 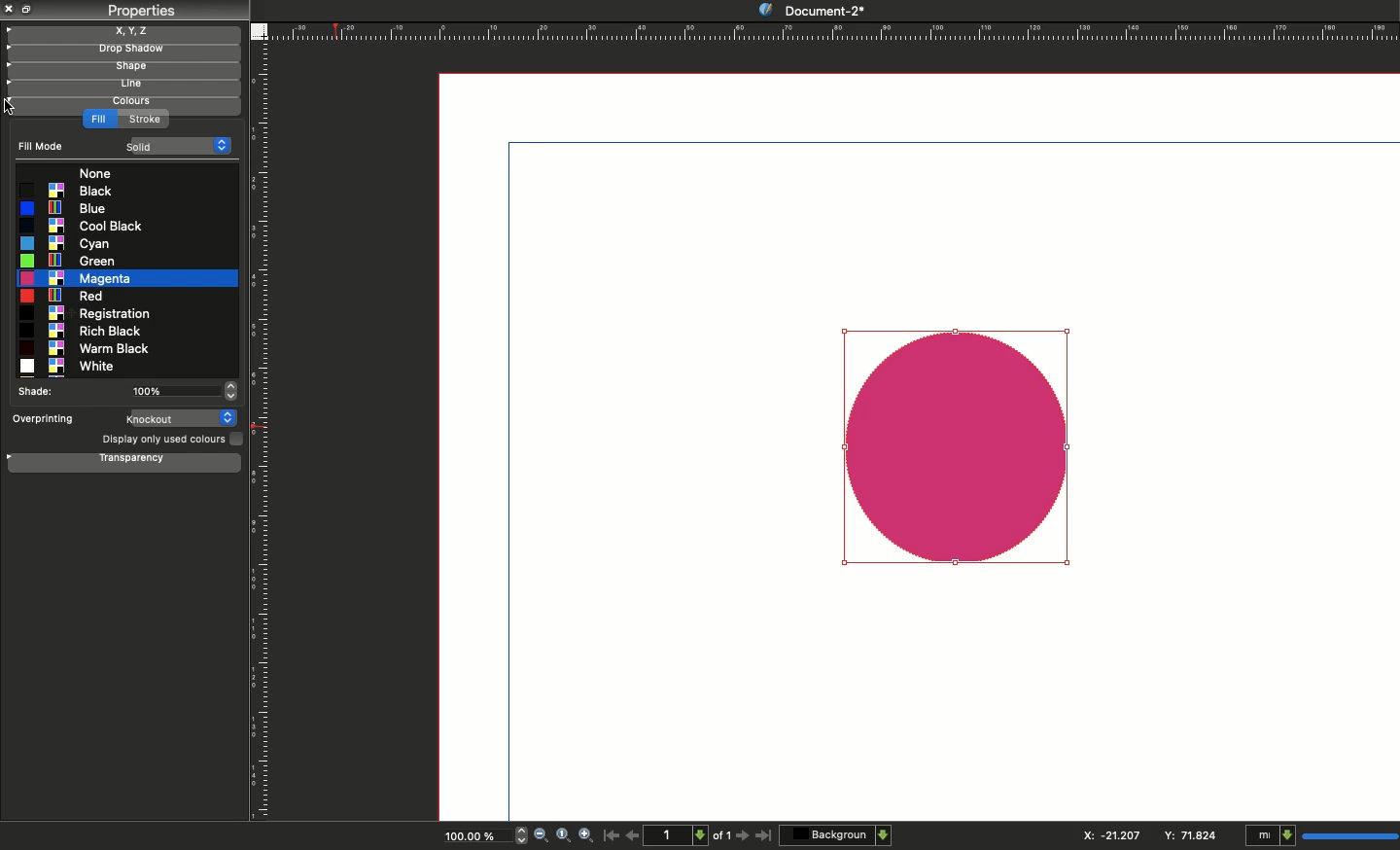 I want to click on Knockout, so click(x=179, y=419).